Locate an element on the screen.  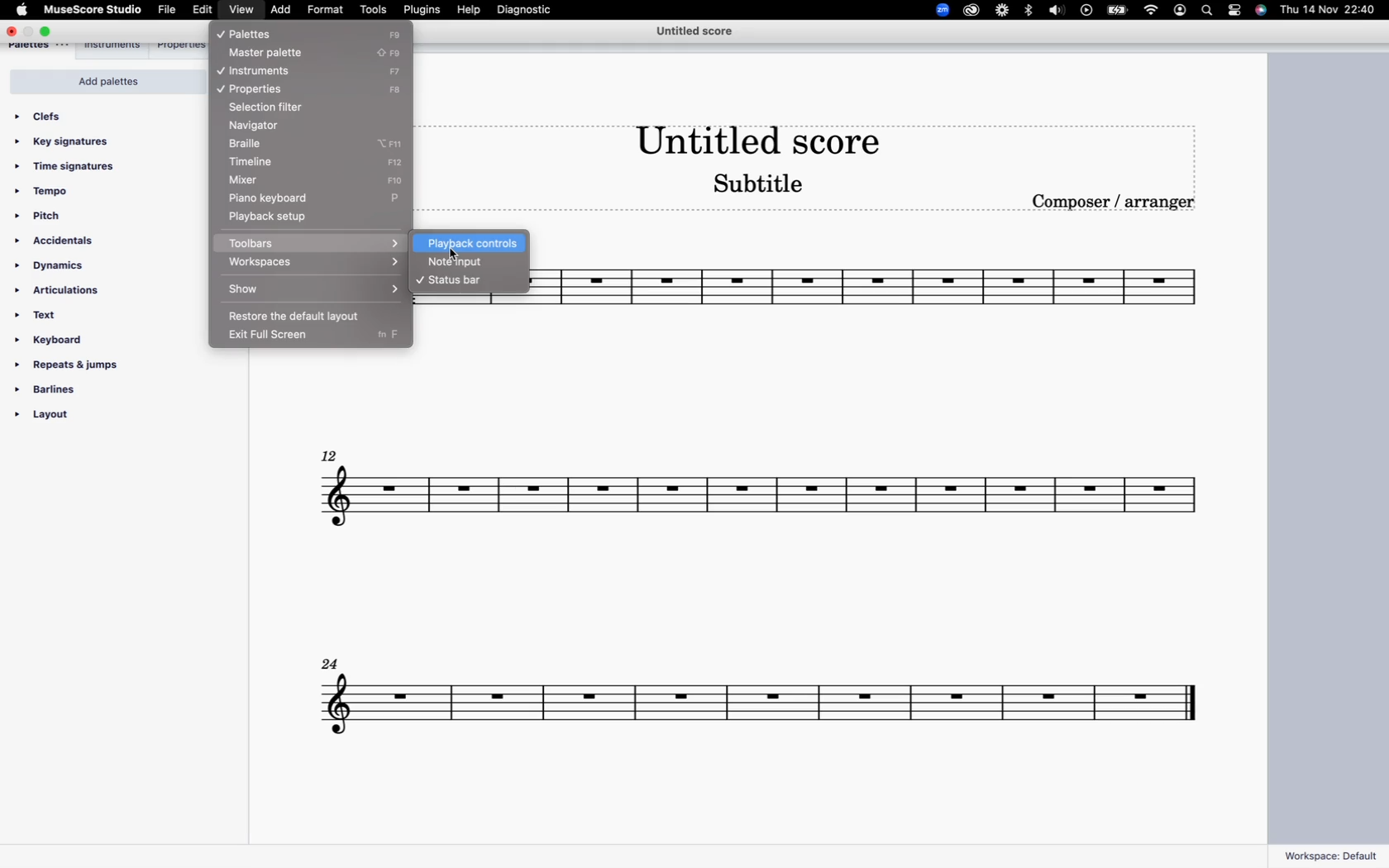
show is located at coordinates (314, 290).